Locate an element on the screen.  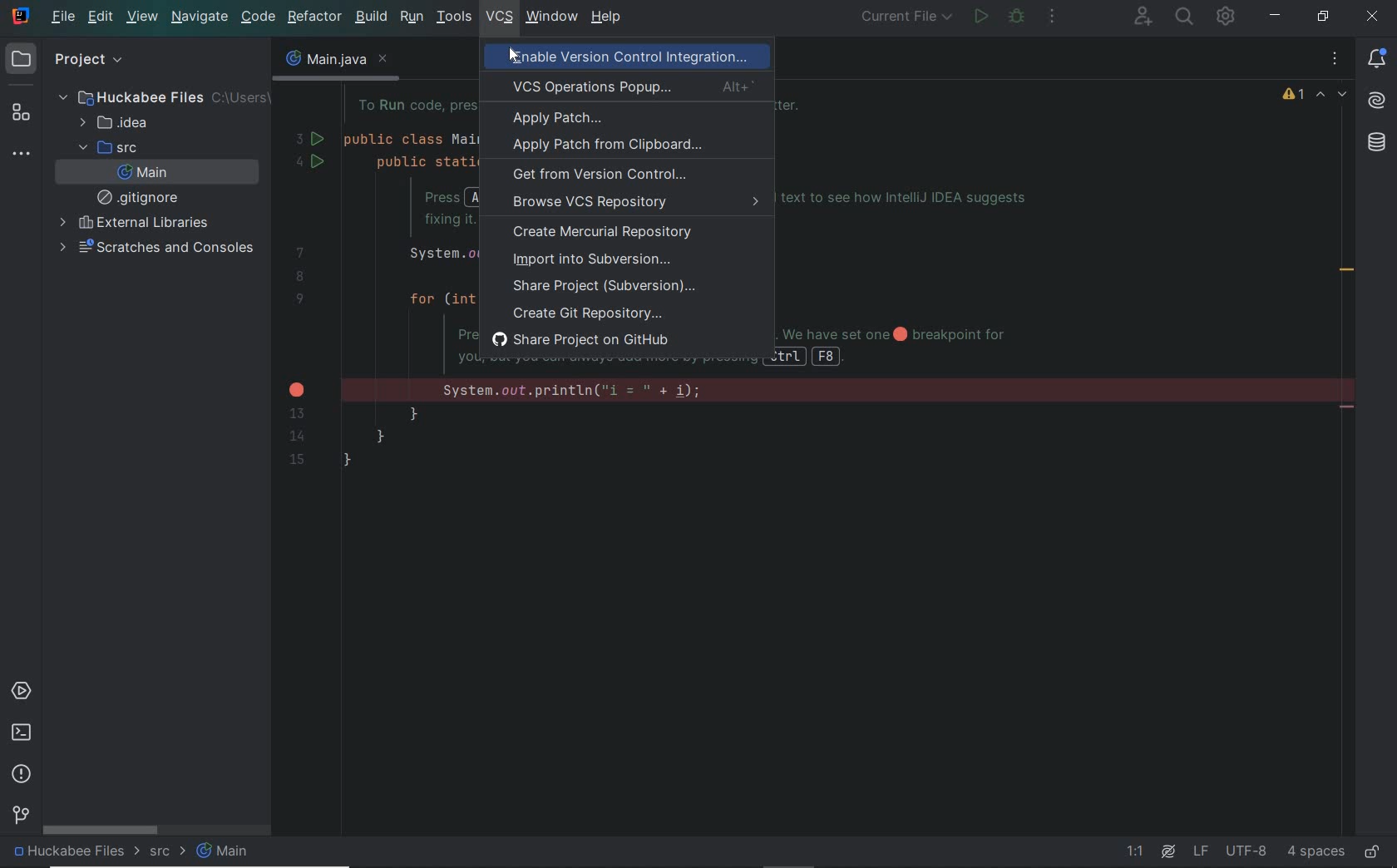
src is located at coordinates (106, 147).